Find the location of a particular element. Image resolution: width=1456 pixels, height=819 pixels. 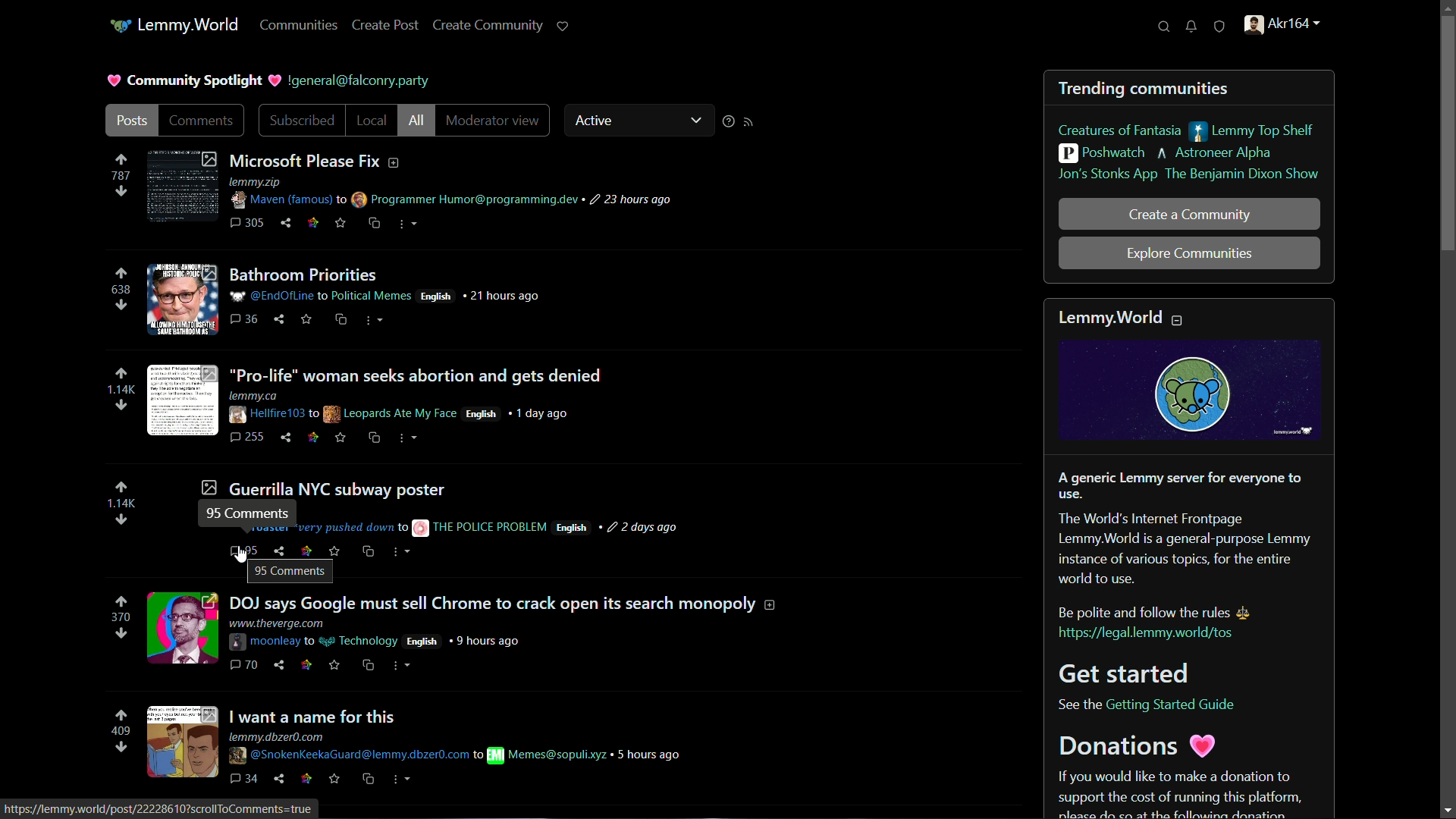

save is located at coordinates (309, 320).